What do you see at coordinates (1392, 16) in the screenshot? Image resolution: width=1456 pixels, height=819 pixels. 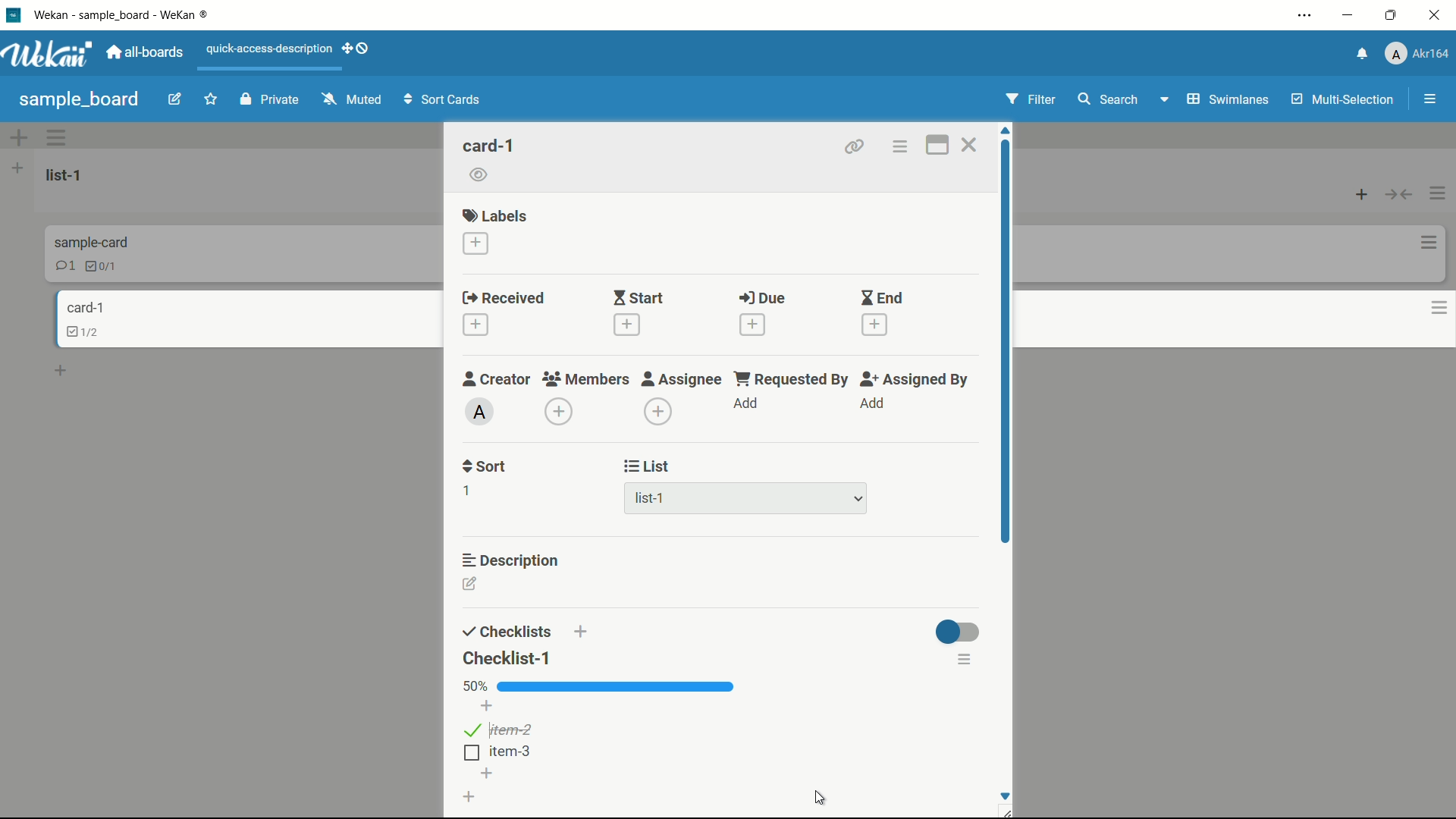 I see `maximize` at bounding box center [1392, 16].